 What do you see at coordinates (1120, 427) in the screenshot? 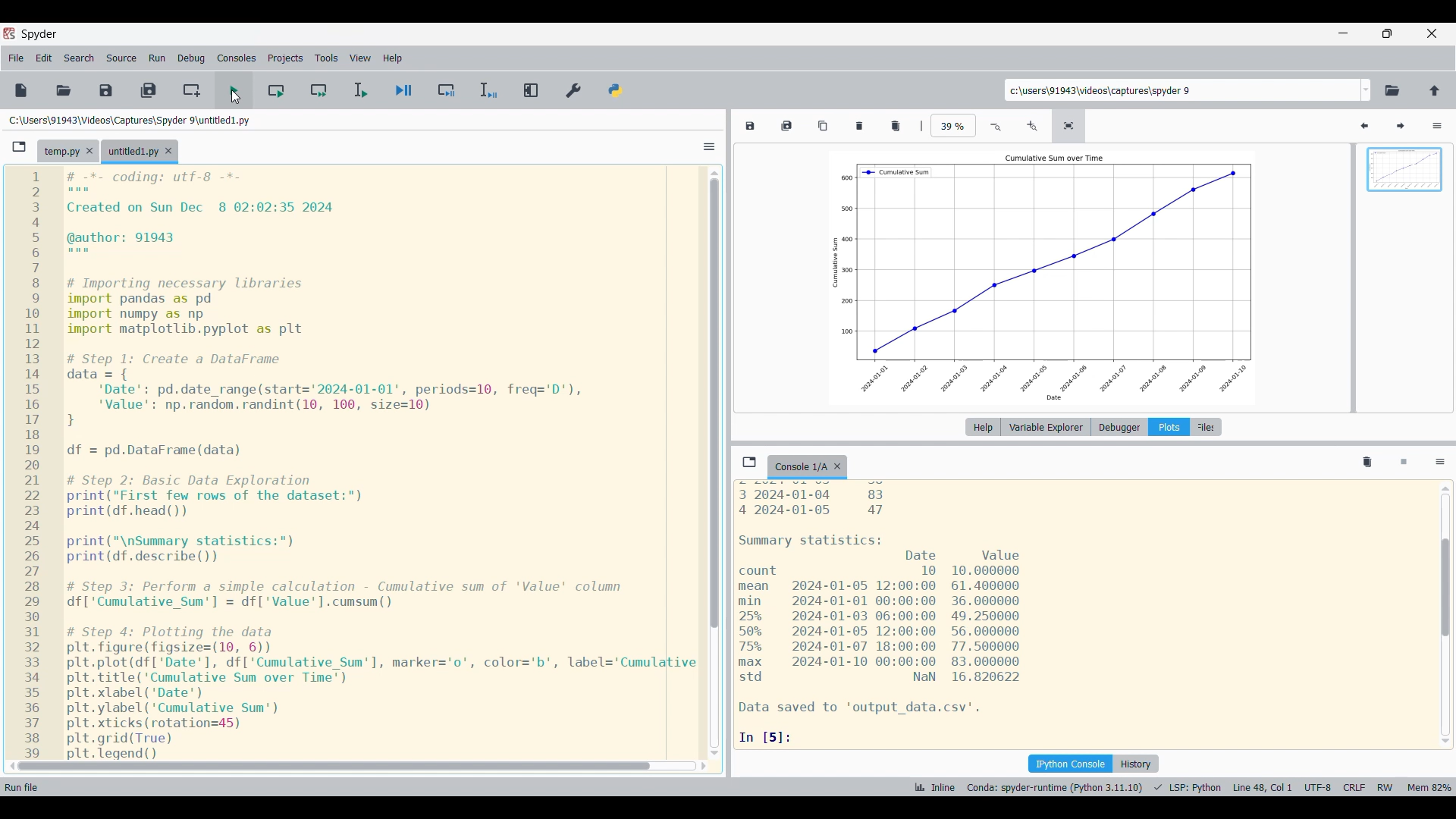
I see `Debugger` at bounding box center [1120, 427].